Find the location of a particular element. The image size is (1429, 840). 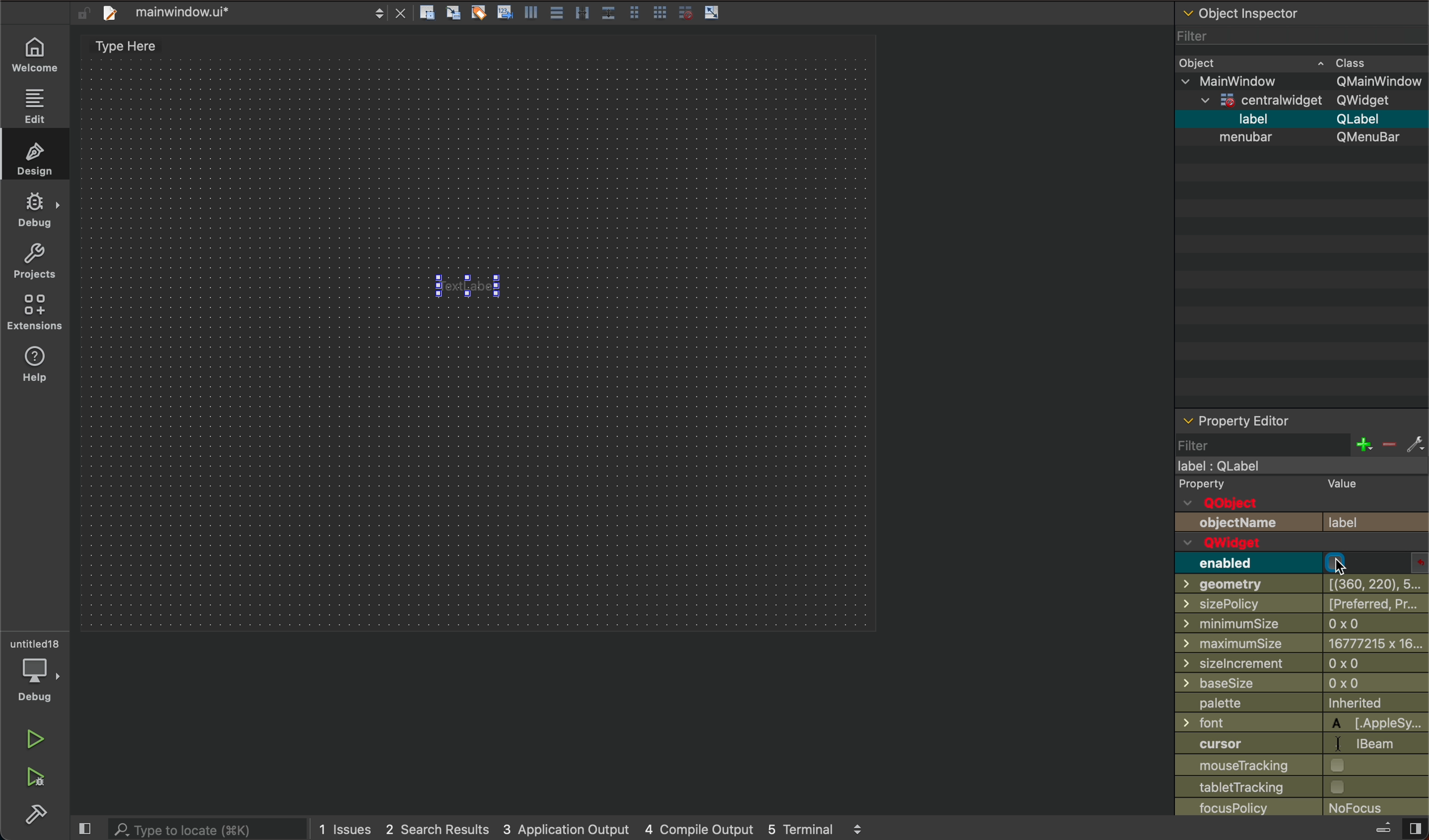

no focus is located at coordinates (1356, 808).